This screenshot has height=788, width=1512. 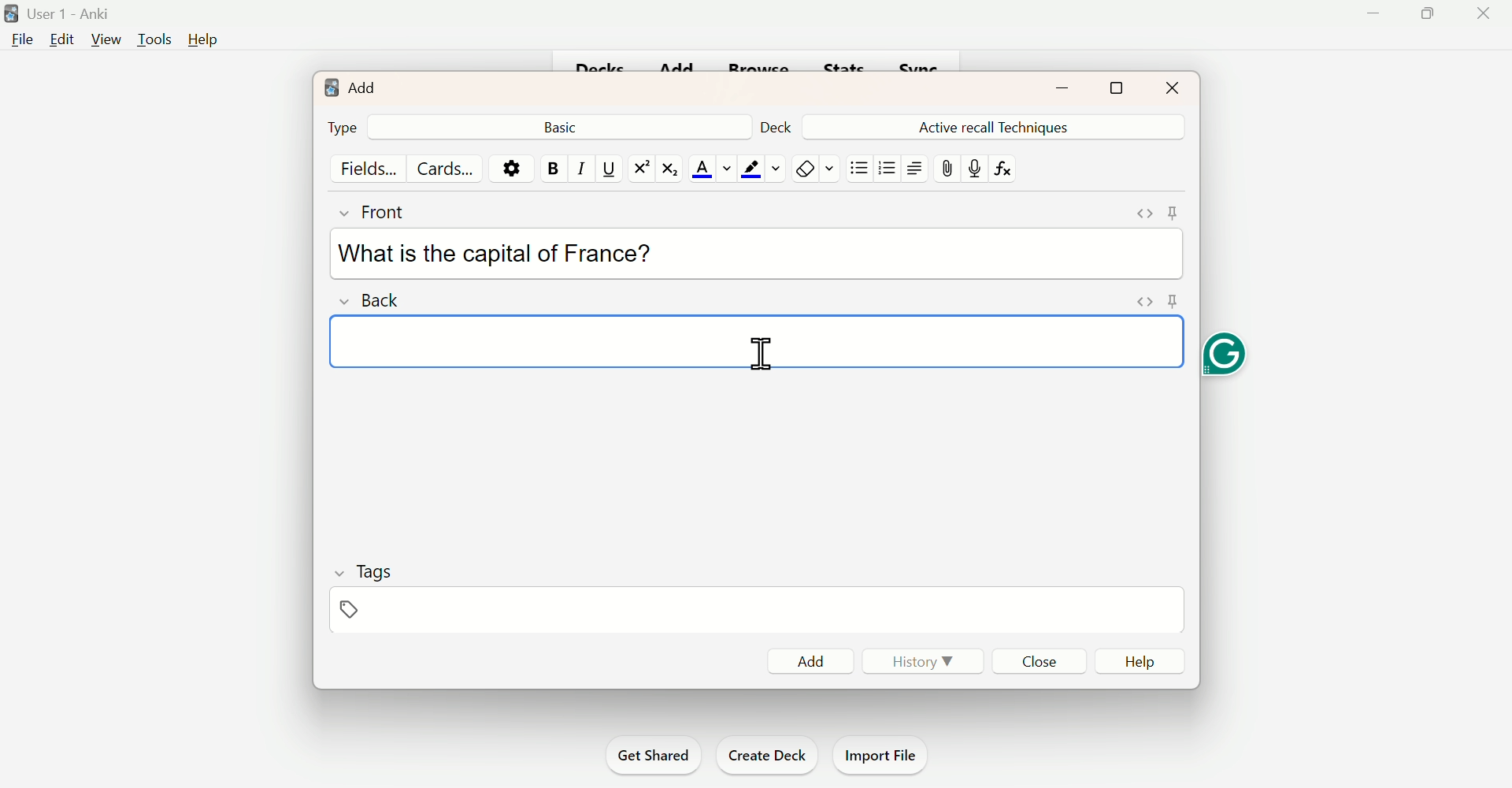 What do you see at coordinates (773, 124) in the screenshot?
I see `Deck` at bounding box center [773, 124].